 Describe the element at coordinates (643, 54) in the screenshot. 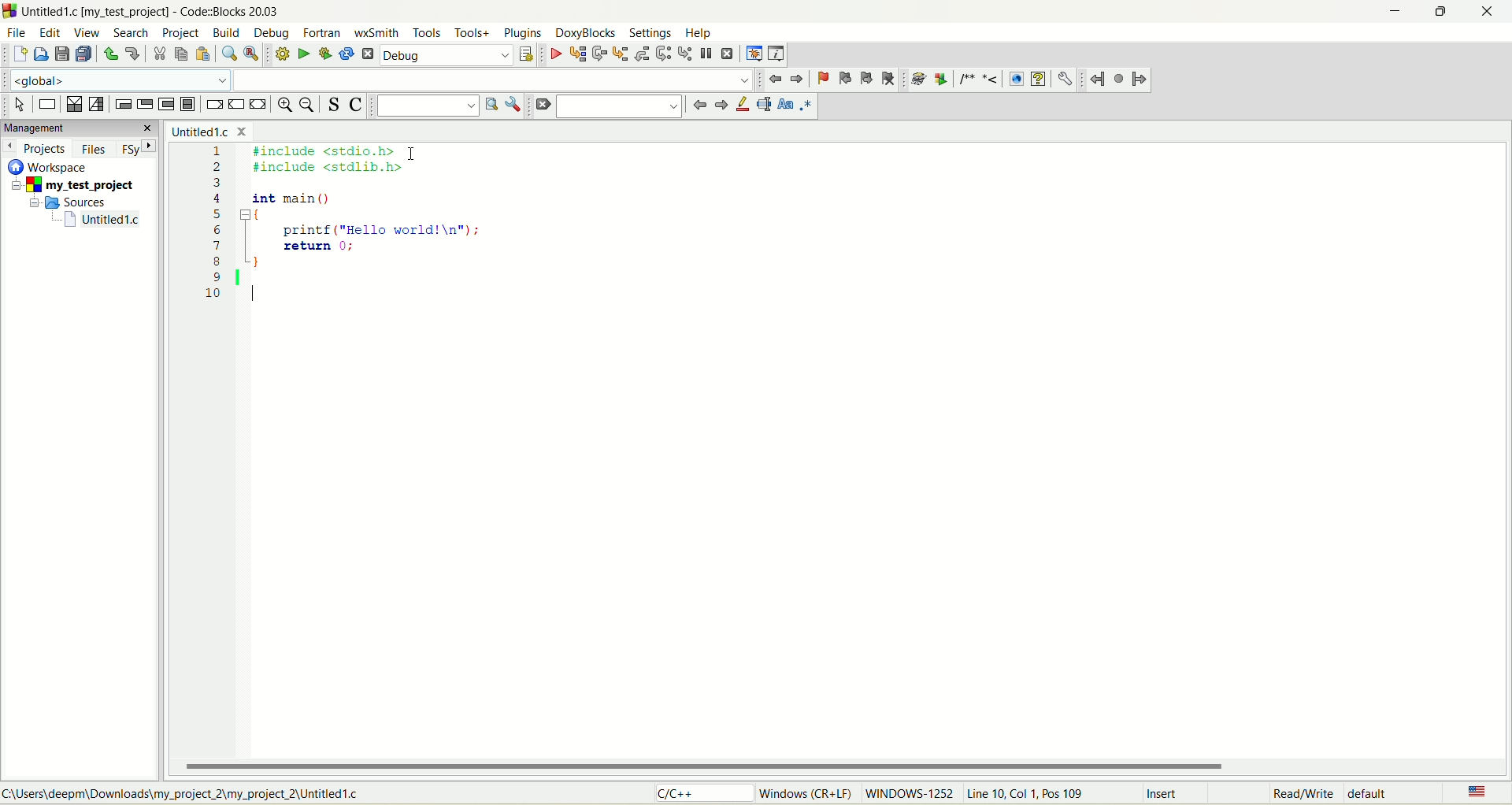

I see `step out` at that location.